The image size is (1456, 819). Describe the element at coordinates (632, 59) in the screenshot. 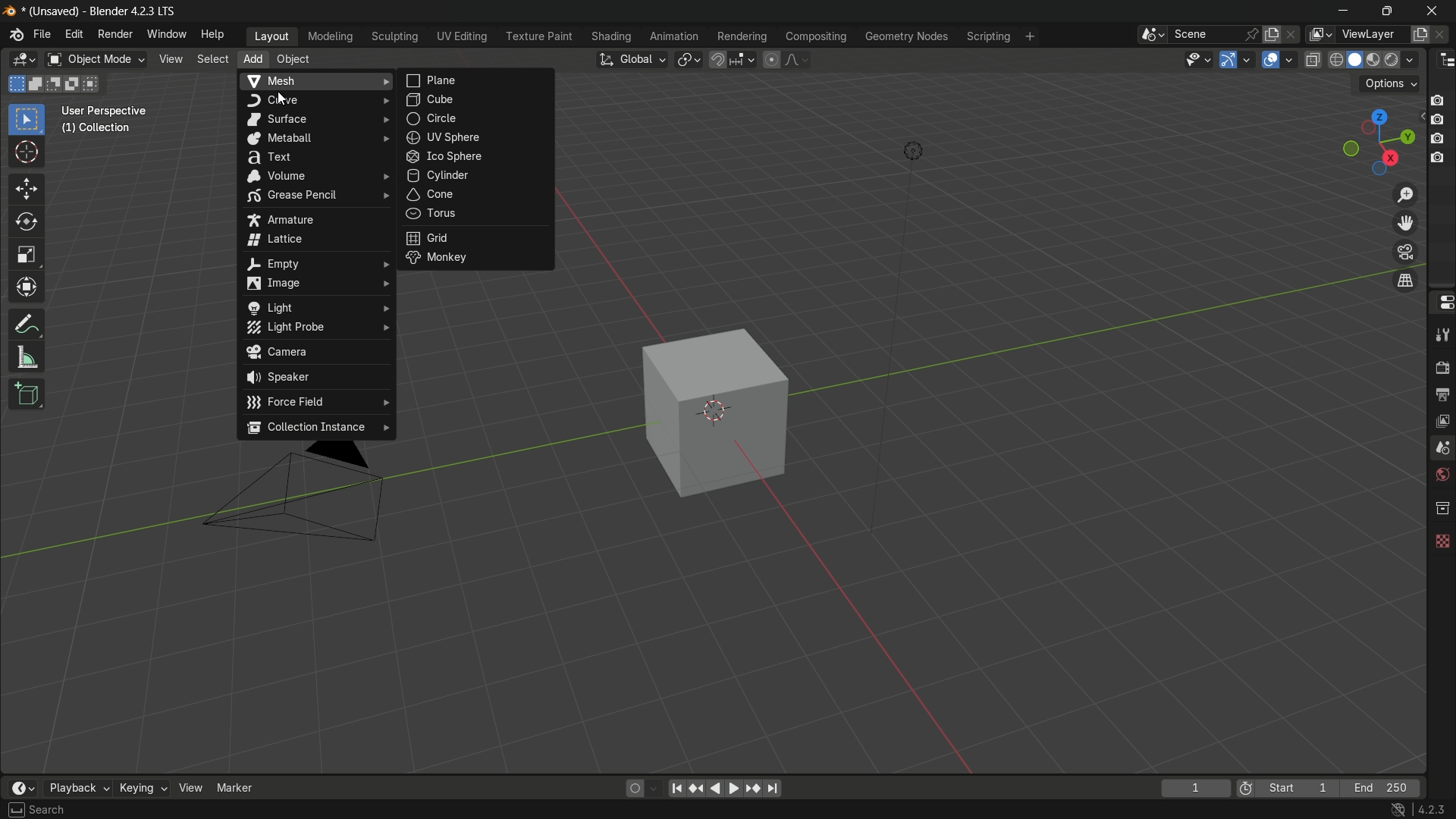

I see `transformation orientation` at that location.